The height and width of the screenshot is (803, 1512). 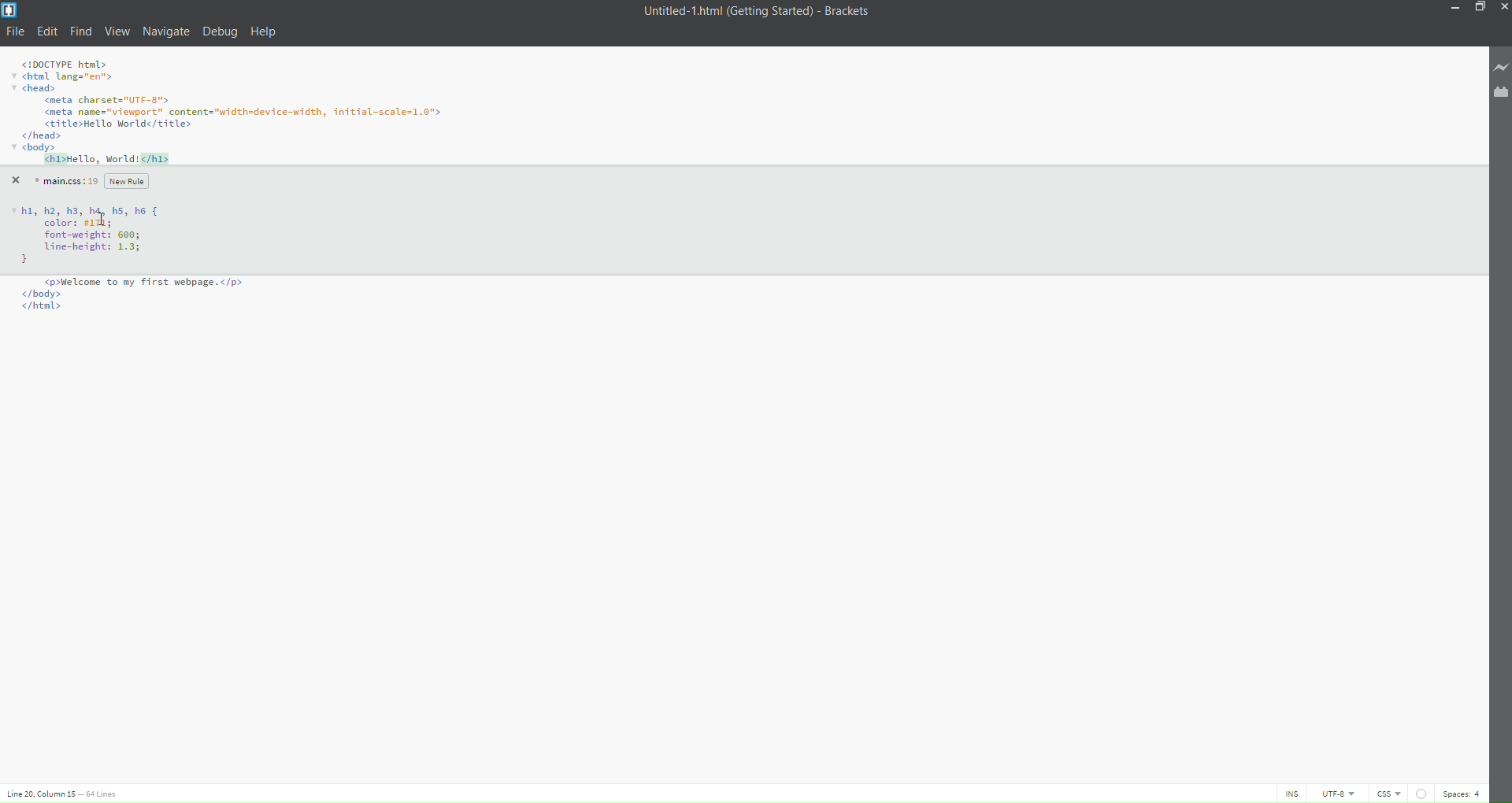 I want to click on New rule, so click(x=130, y=181).